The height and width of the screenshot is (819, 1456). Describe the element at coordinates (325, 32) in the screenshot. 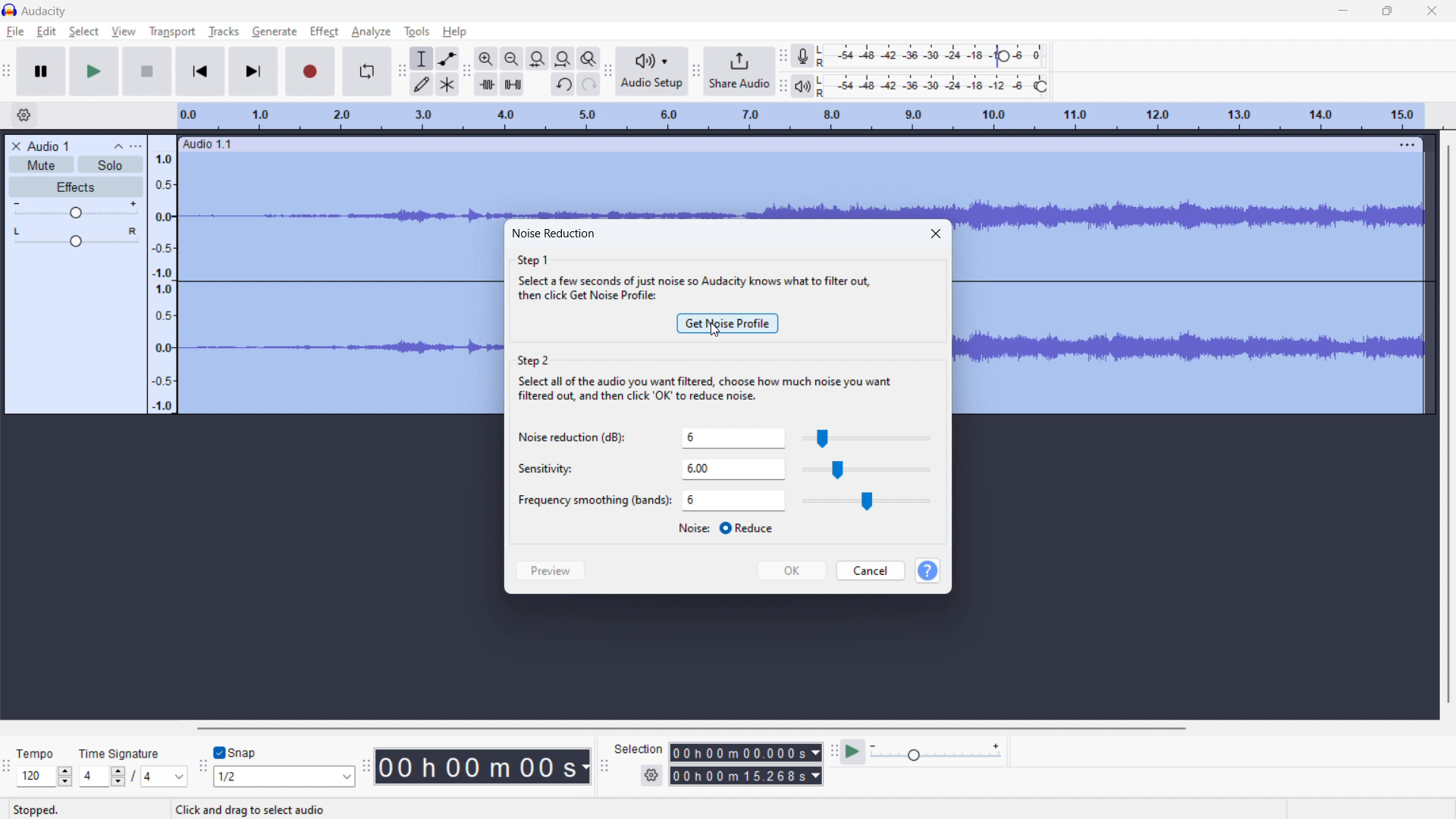

I see `effect` at that location.